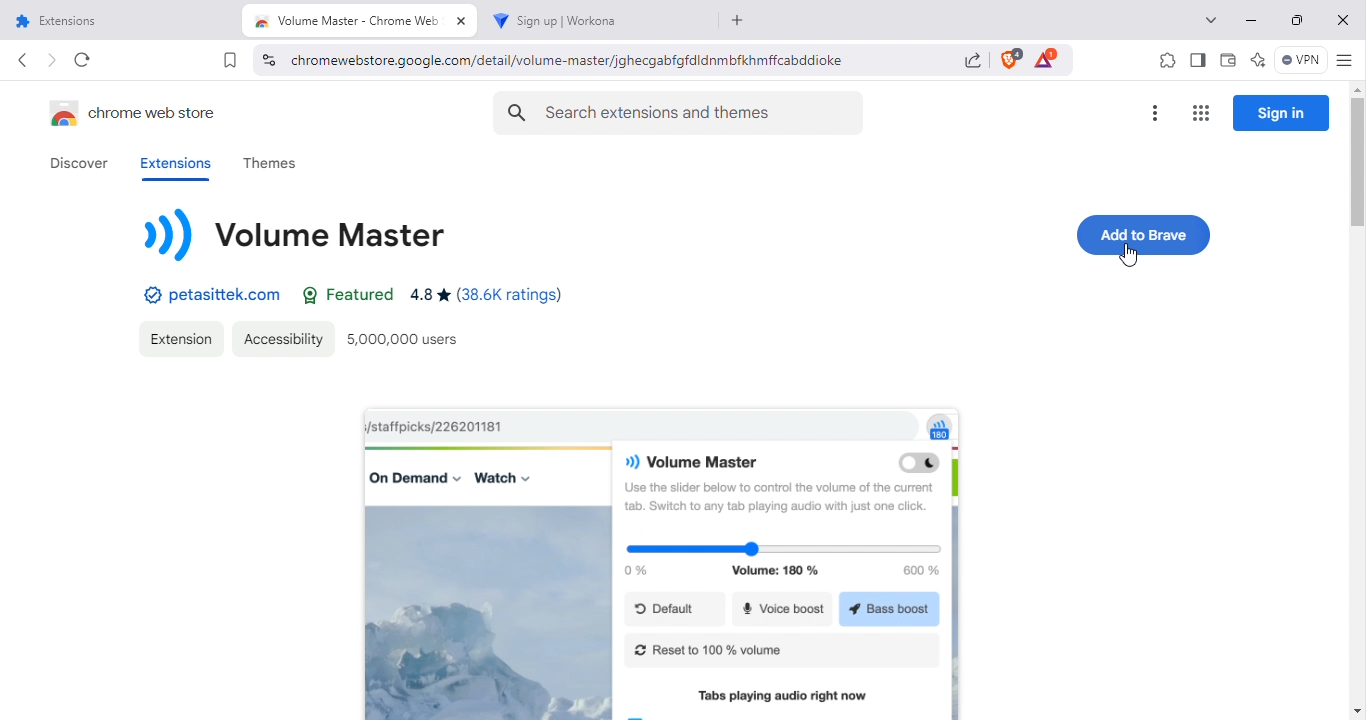 The width and height of the screenshot is (1366, 720). I want to click on Themes, so click(287, 164).